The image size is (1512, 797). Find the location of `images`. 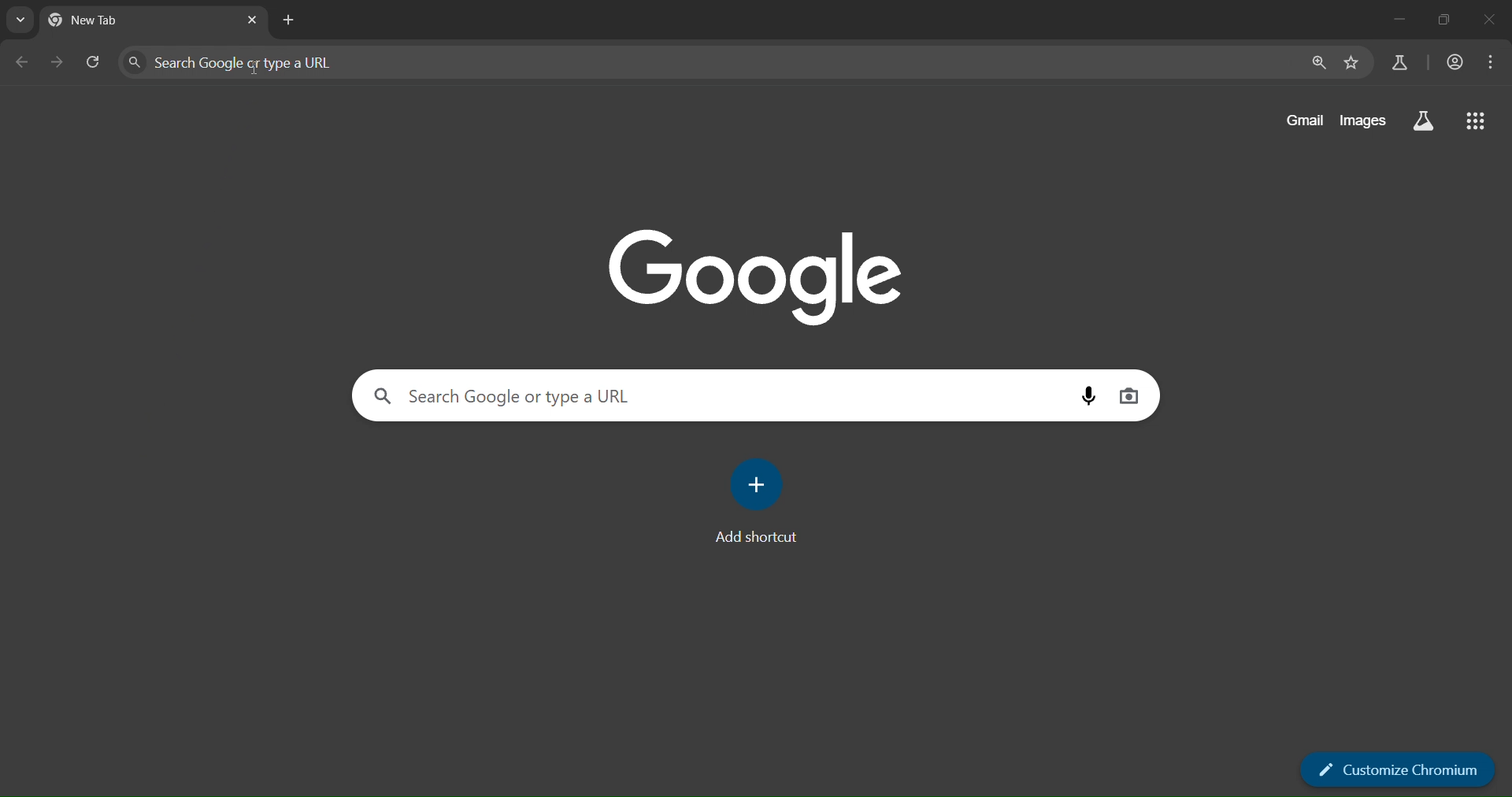

images is located at coordinates (1362, 121).